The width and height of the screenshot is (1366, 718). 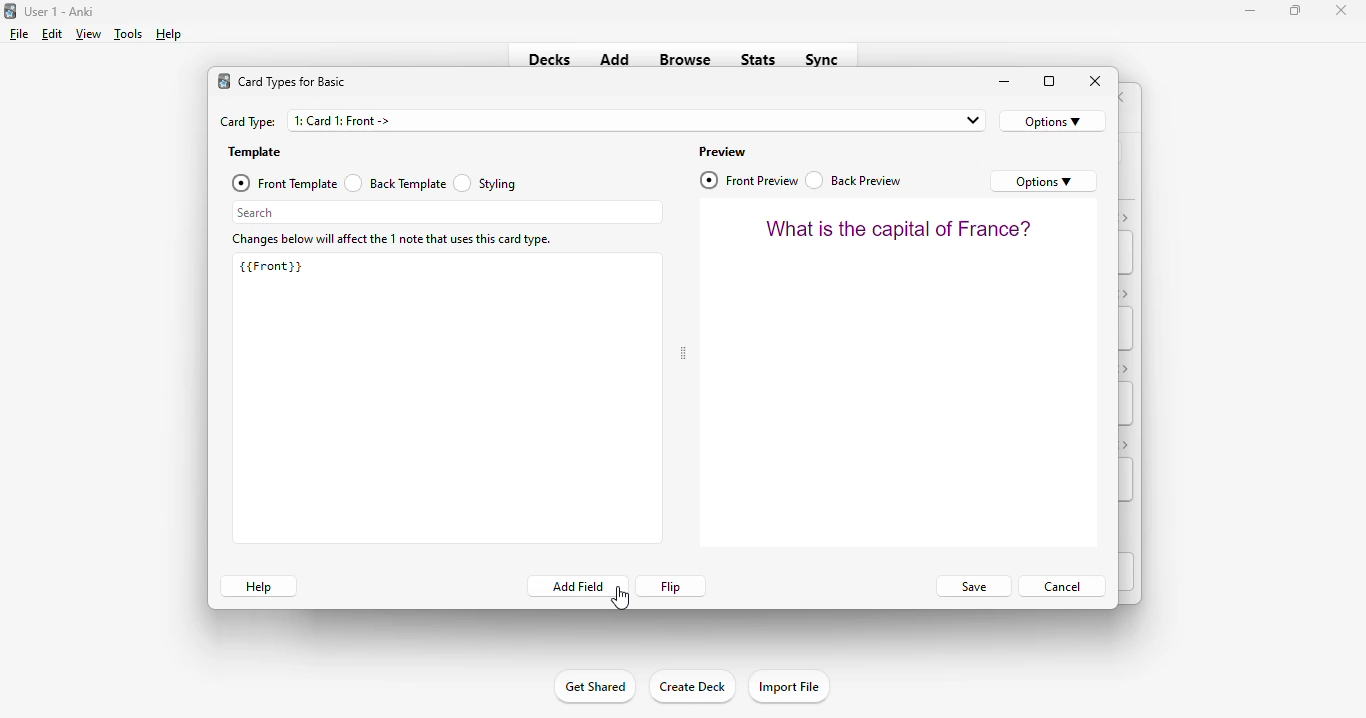 What do you see at coordinates (594, 686) in the screenshot?
I see `get shared` at bounding box center [594, 686].